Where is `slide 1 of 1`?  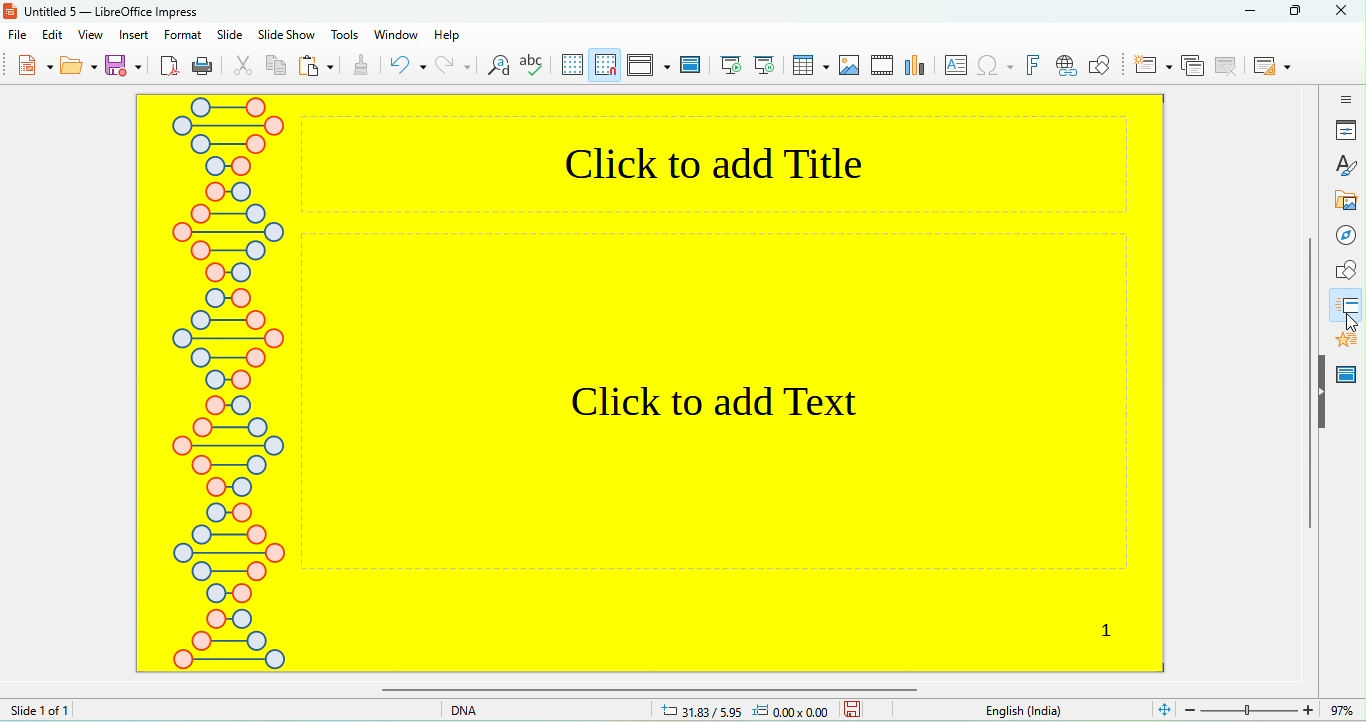 slide 1 of 1 is located at coordinates (83, 711).